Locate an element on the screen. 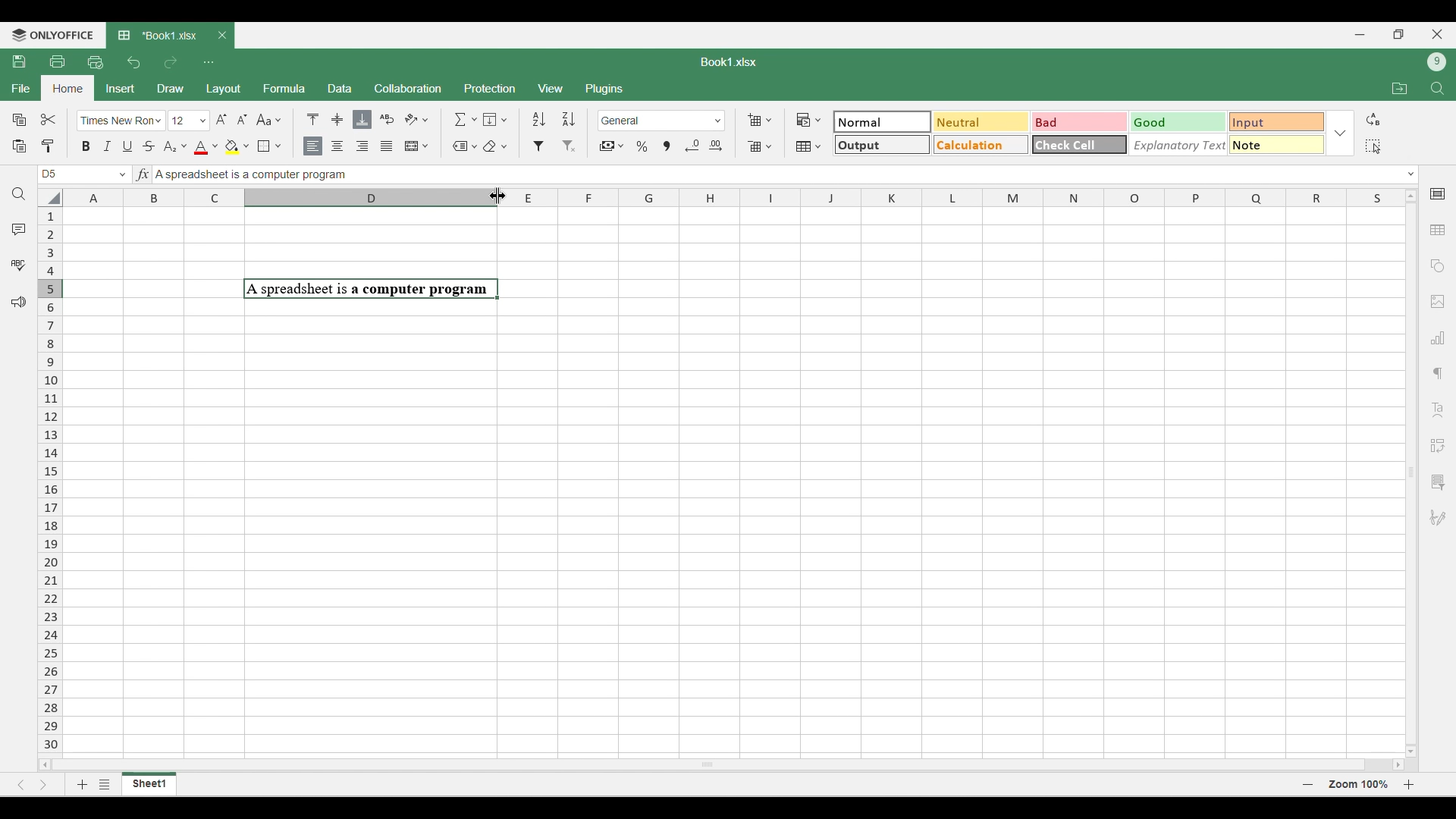  Column width adjusted to fit text is located at coordinates (369, 480).